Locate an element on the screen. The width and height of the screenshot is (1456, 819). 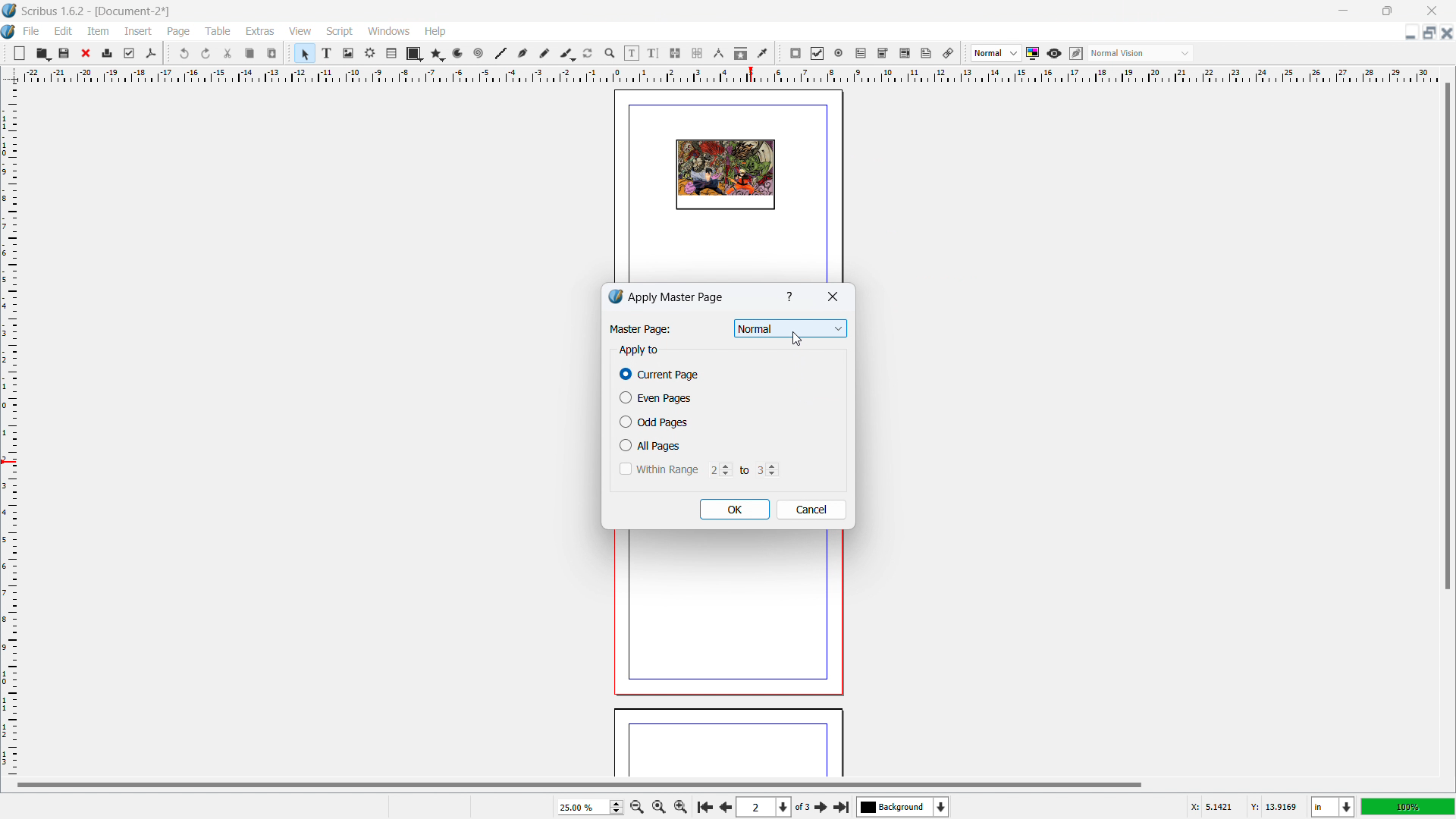
paste is located at coordinates (272, 53).